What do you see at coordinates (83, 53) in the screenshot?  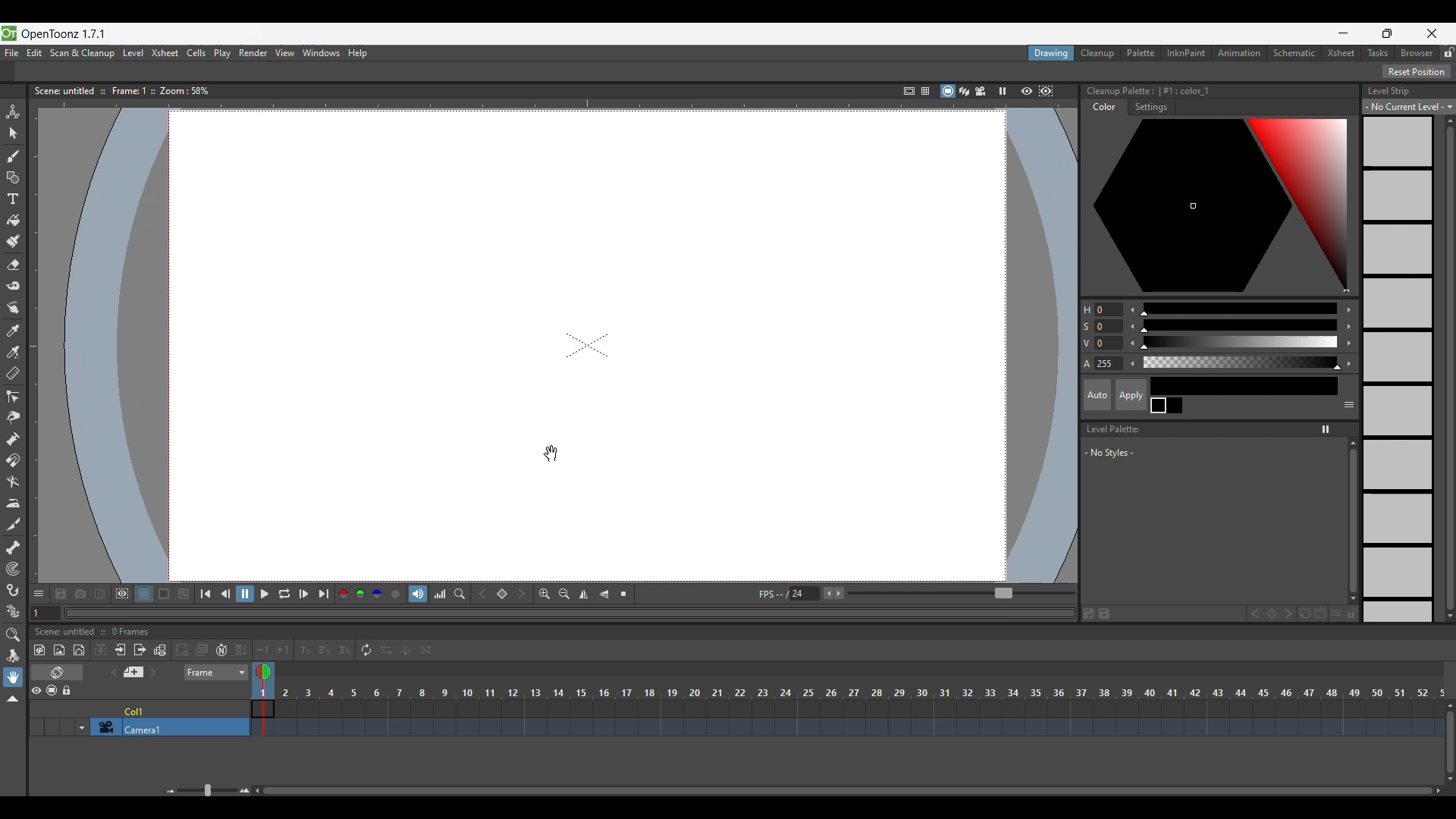 I see `Scan and cleanup` at bounding box center [83, 53].